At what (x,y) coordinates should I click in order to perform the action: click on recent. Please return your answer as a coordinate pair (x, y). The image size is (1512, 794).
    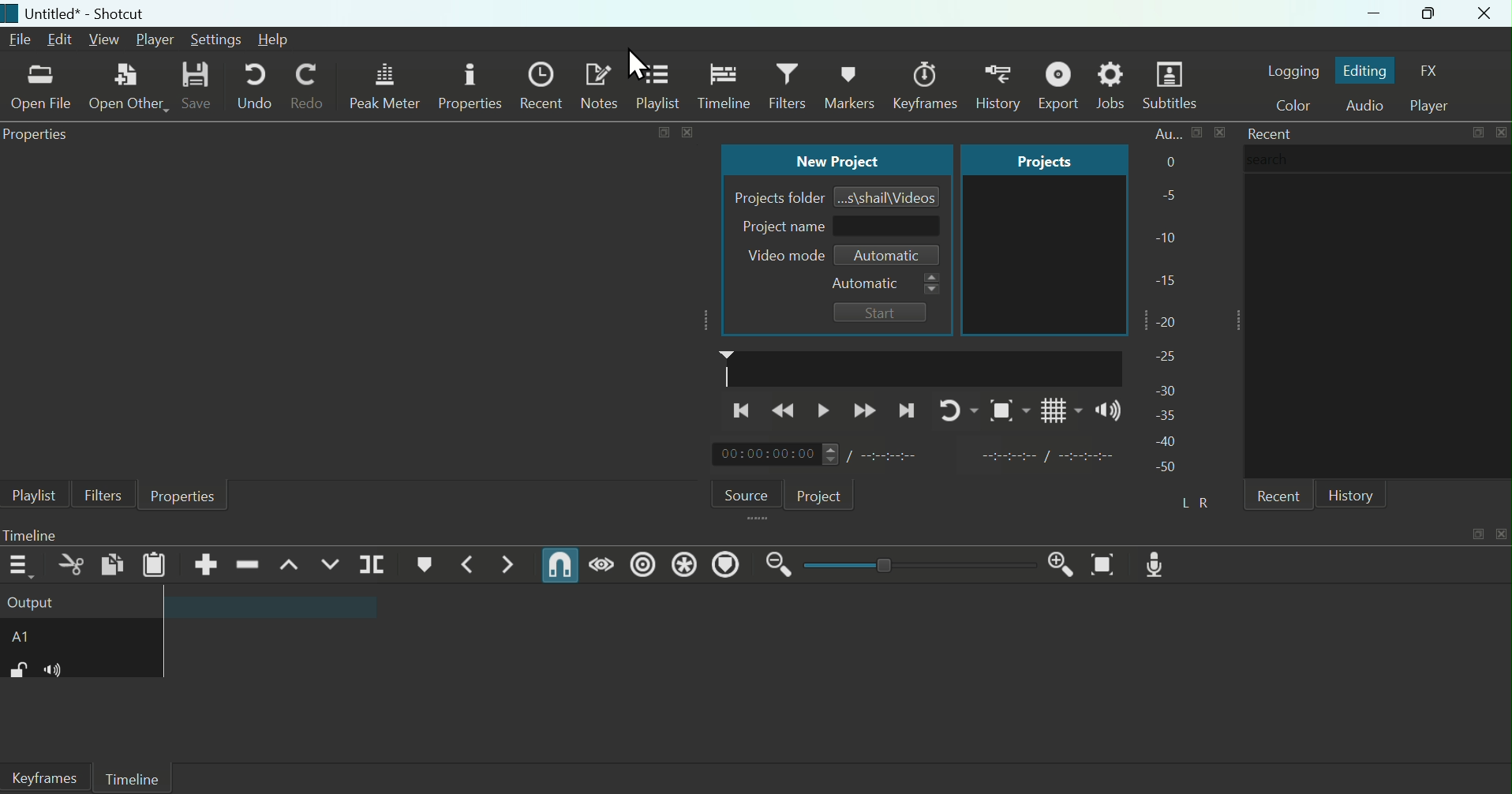
    Looking at the image, I should click on (1277, 495).